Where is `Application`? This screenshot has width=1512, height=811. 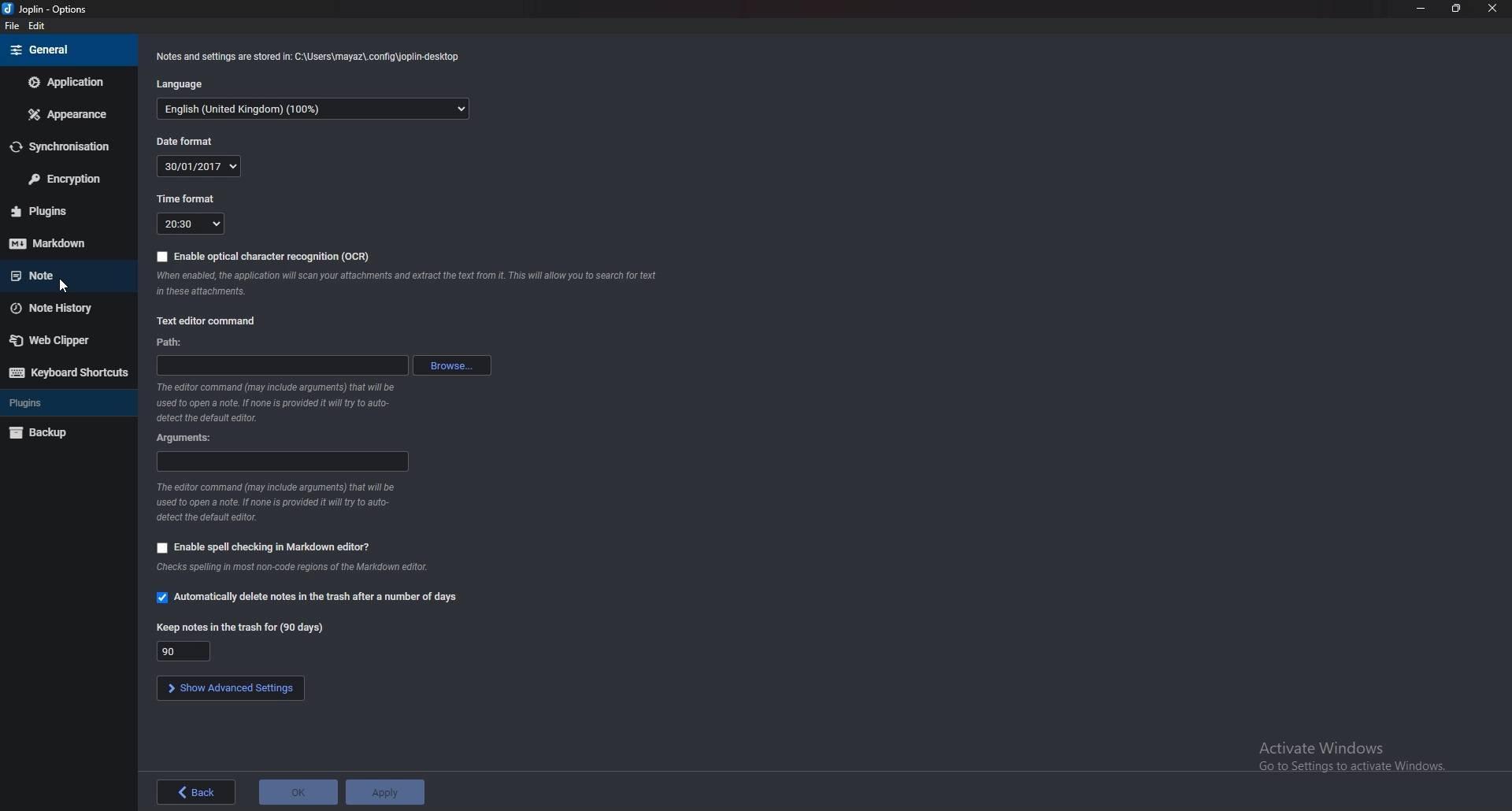 Application is located at coordinates (68, 81).